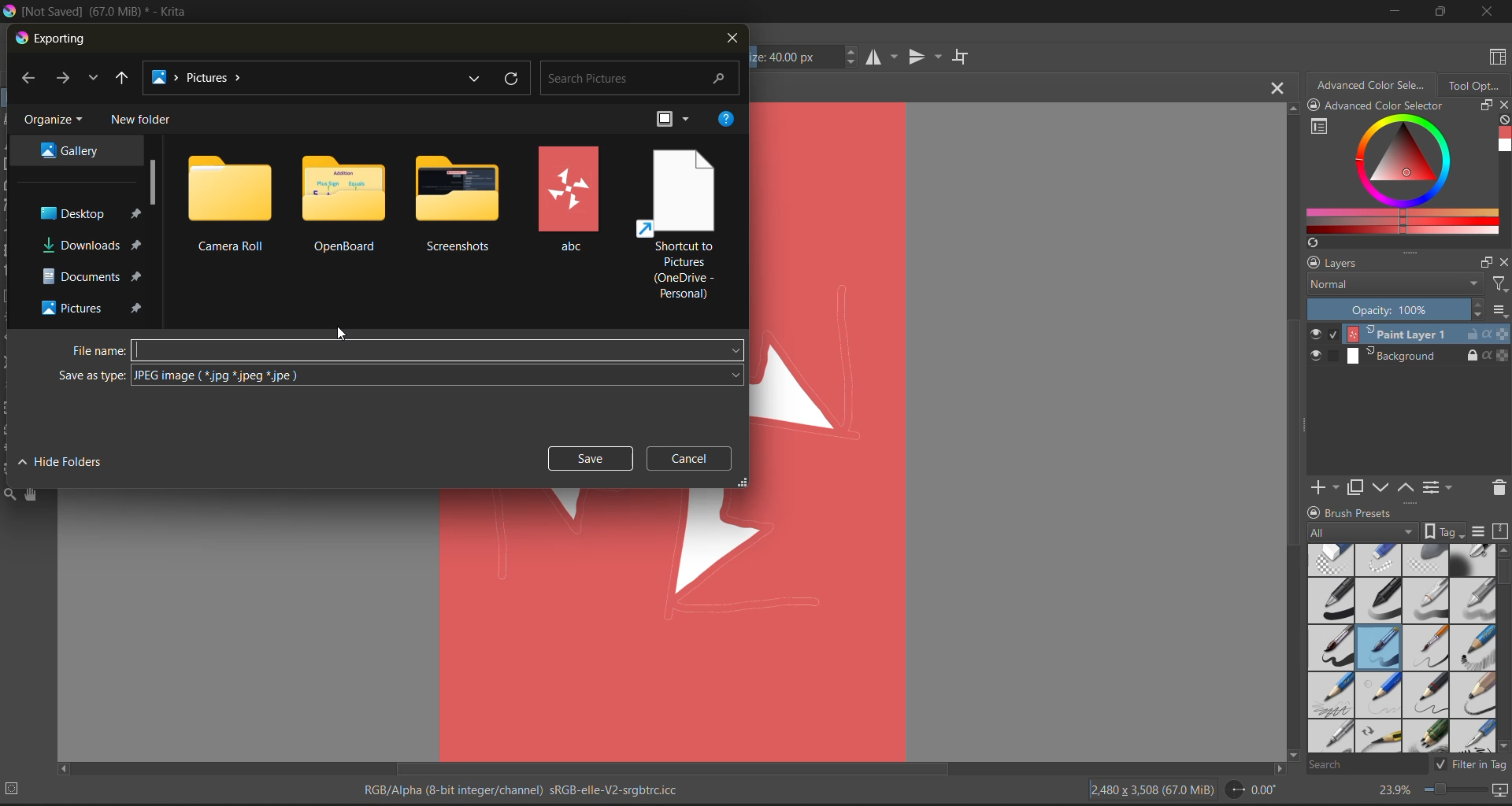 This screenshot has width=1512, height=806. What do you see at coordinates (1458, 791) in the screenshot?
I see `zoom` at bounding box center [1458, 791].